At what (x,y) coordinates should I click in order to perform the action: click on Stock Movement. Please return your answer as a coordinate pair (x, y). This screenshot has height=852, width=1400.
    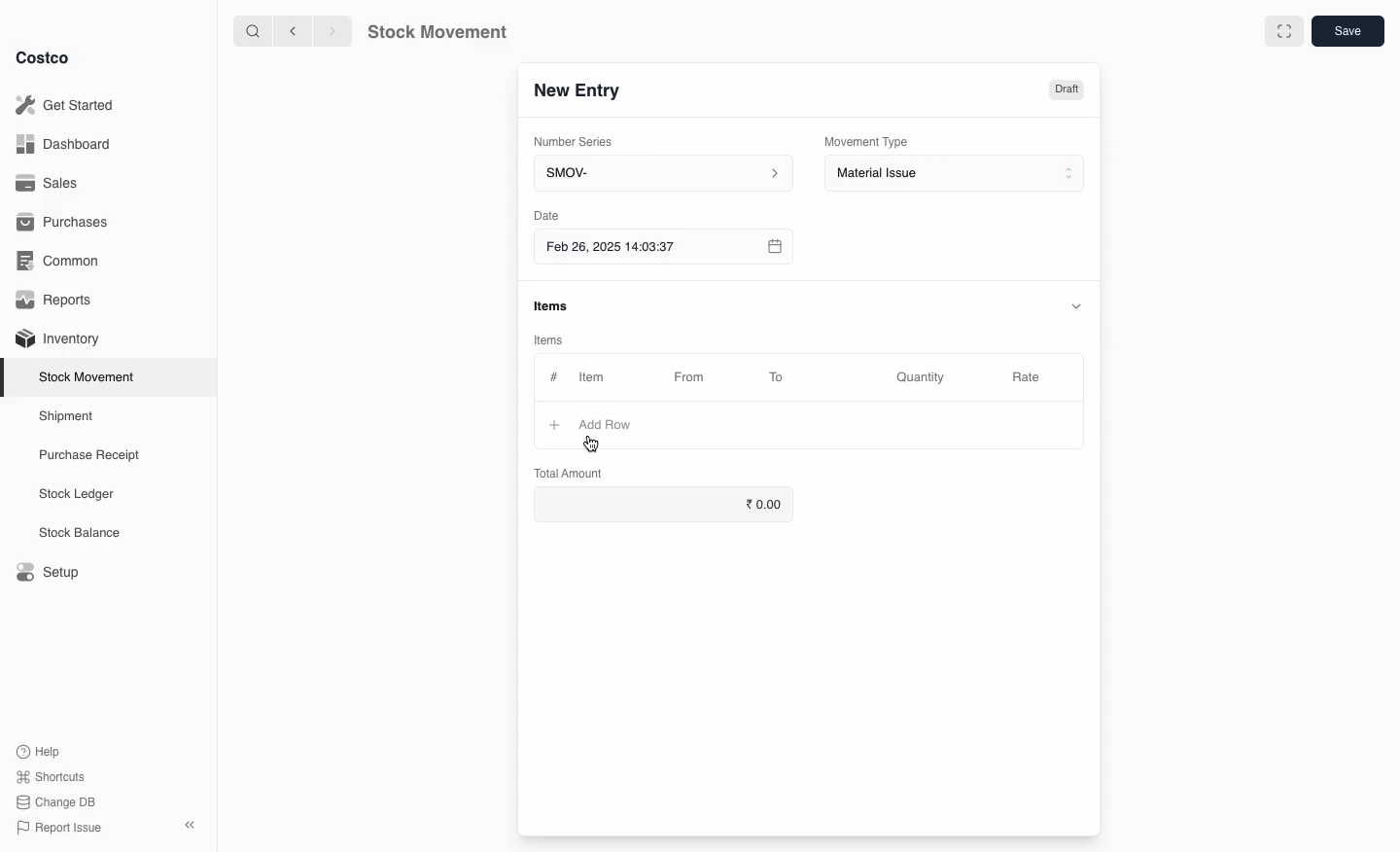
    Looking at the image, I should click on (434, 32).